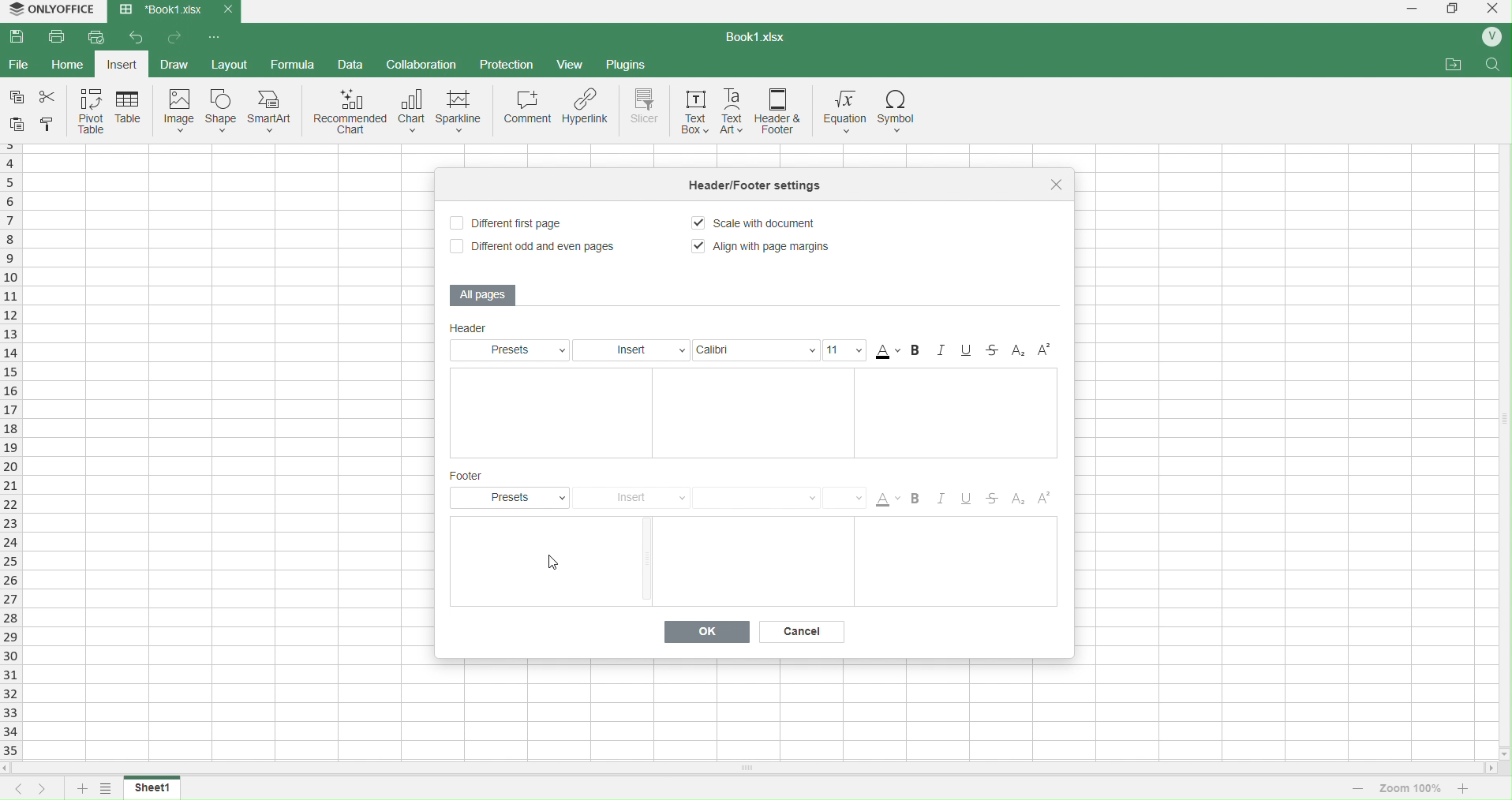  What do you see at coordinates (176, 111) in the screenshot?
I see `image` at bounding box center [176, 111].